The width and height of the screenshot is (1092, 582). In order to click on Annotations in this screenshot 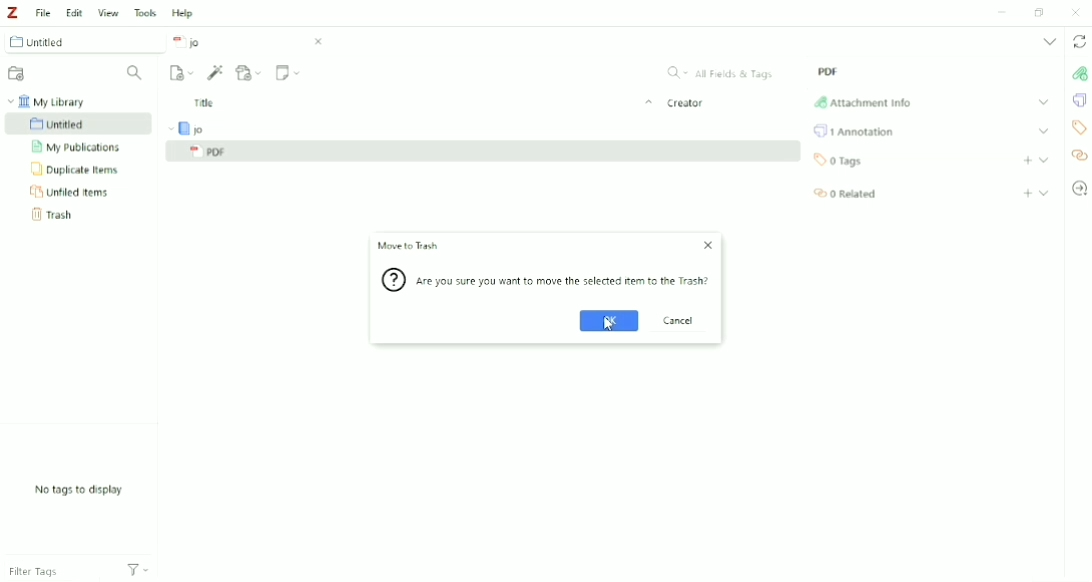, I will do `click(1076, 101)`.